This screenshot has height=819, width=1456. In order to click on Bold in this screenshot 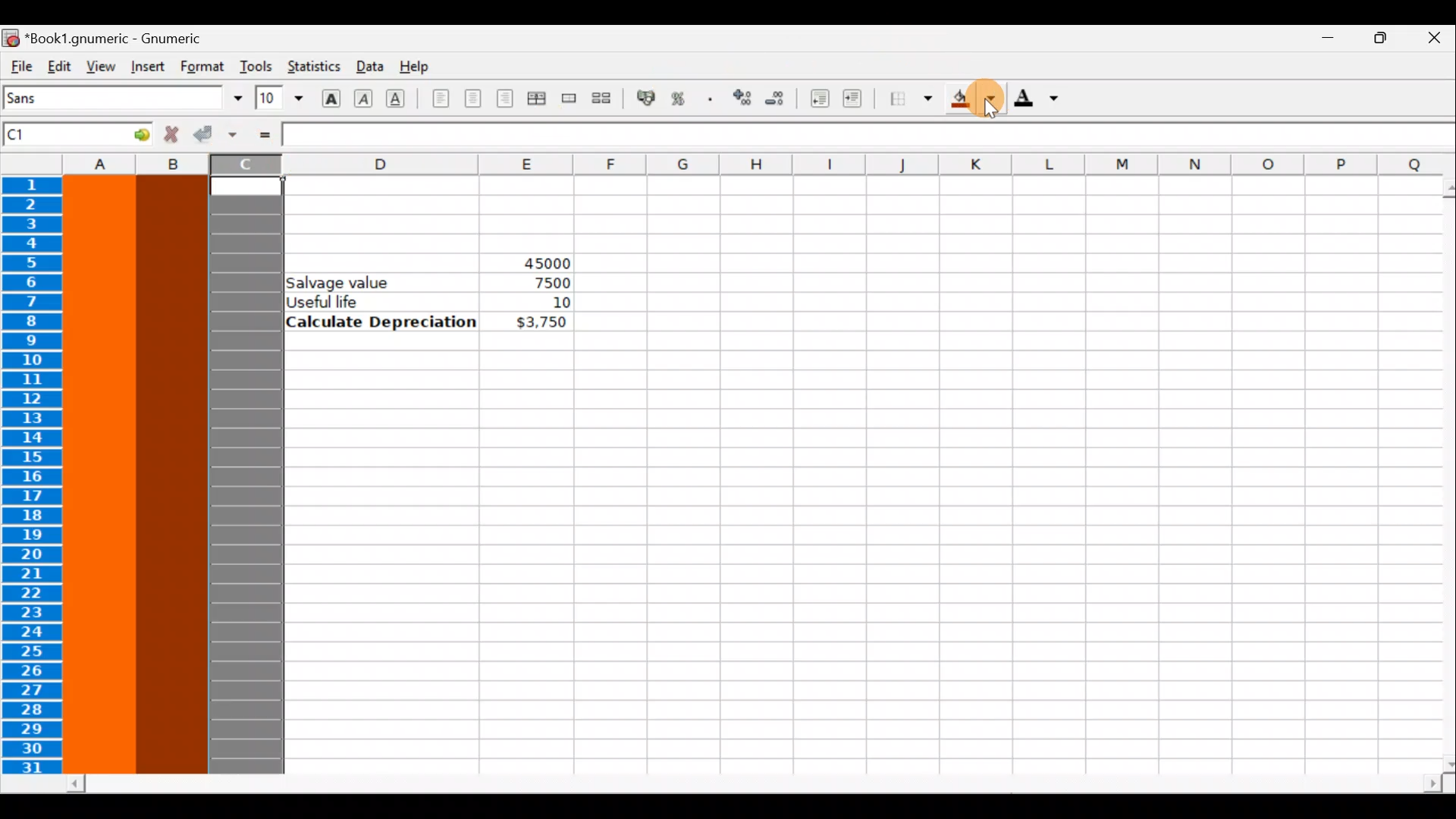, I will do `click(331, 96)`.